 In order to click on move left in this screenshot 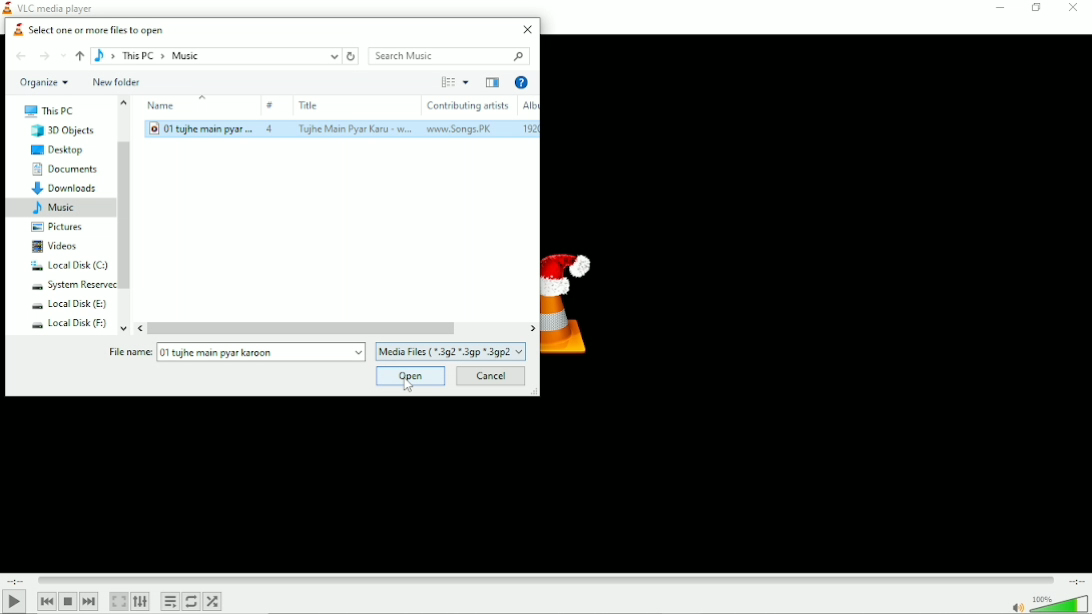, I will do `click(141, 326)`.